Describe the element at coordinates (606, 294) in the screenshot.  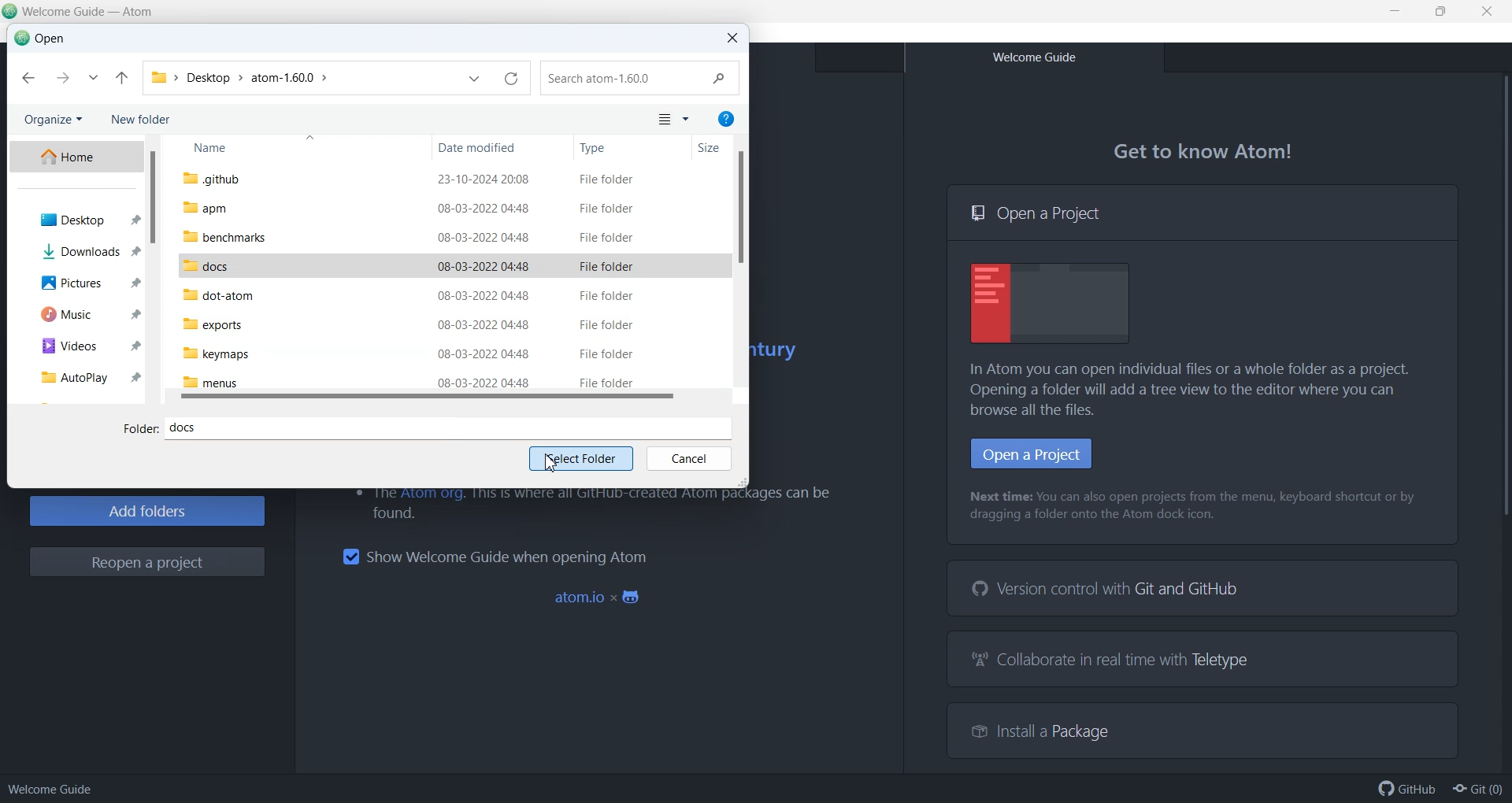
I see `File Folder` at that location.